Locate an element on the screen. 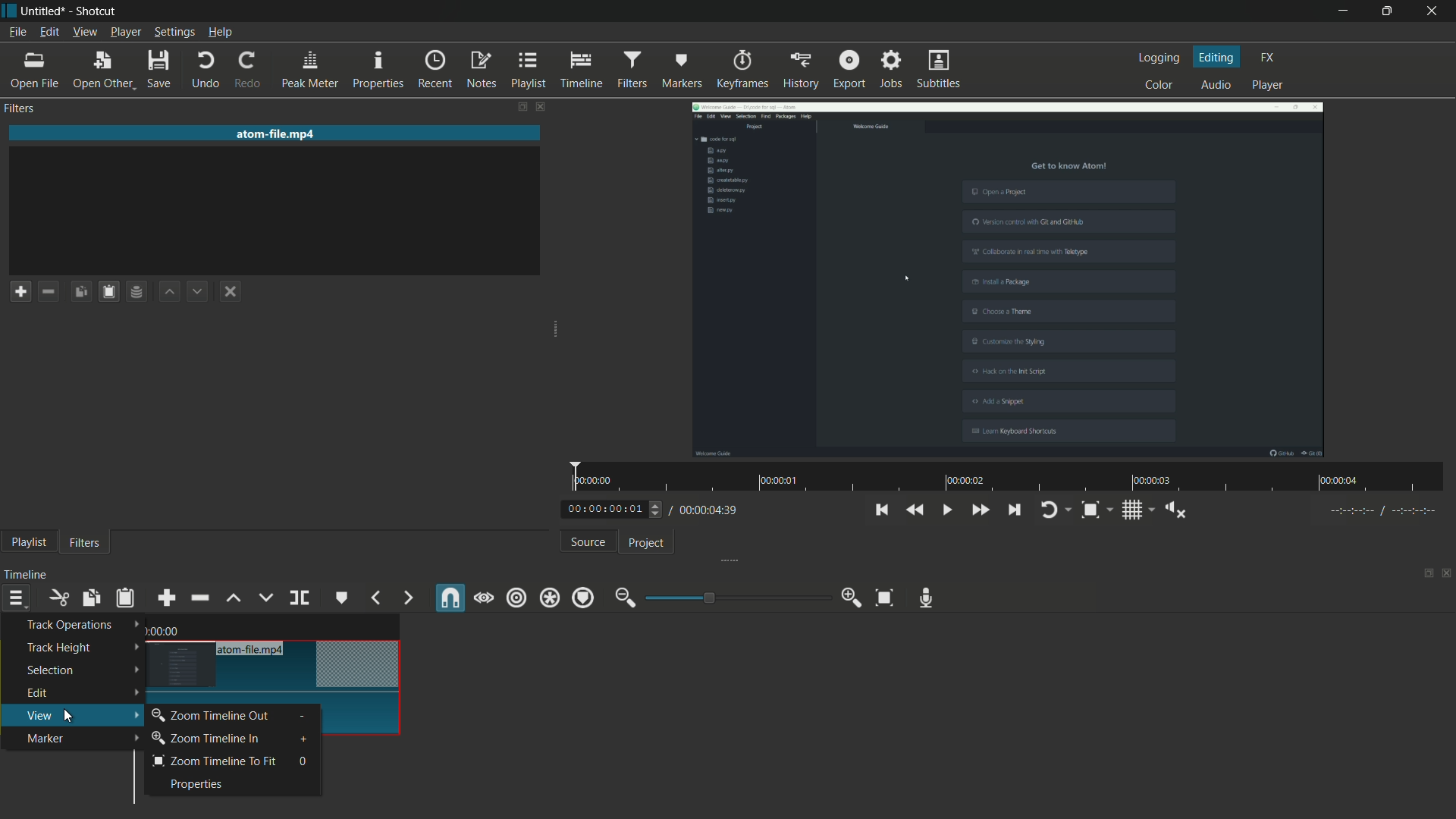  add a filter is located at coordinates (20, 291).